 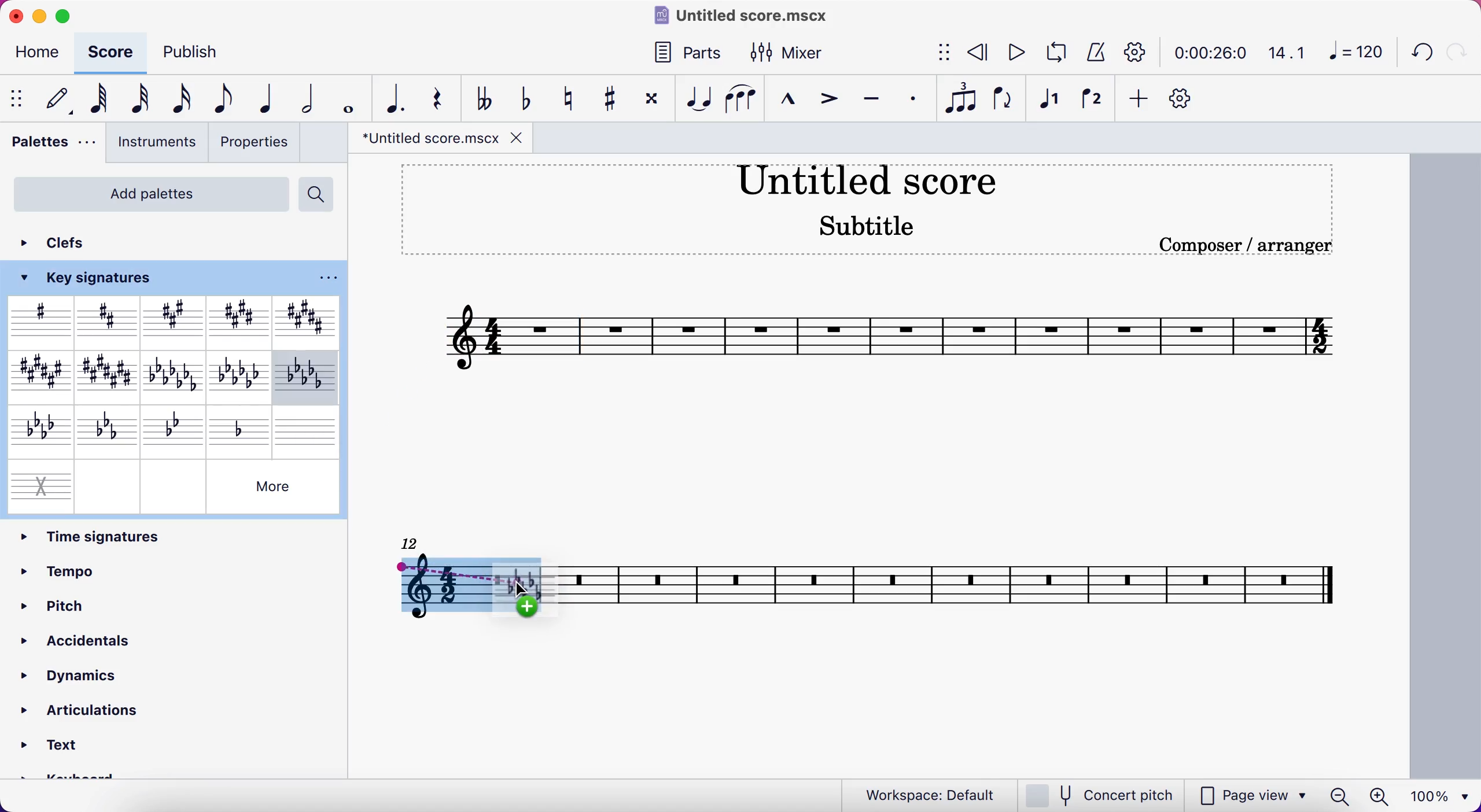 What do you see at coordinates (875, 104) in the screenshot?
I see `tenuto` at bounding box center [875, 104].